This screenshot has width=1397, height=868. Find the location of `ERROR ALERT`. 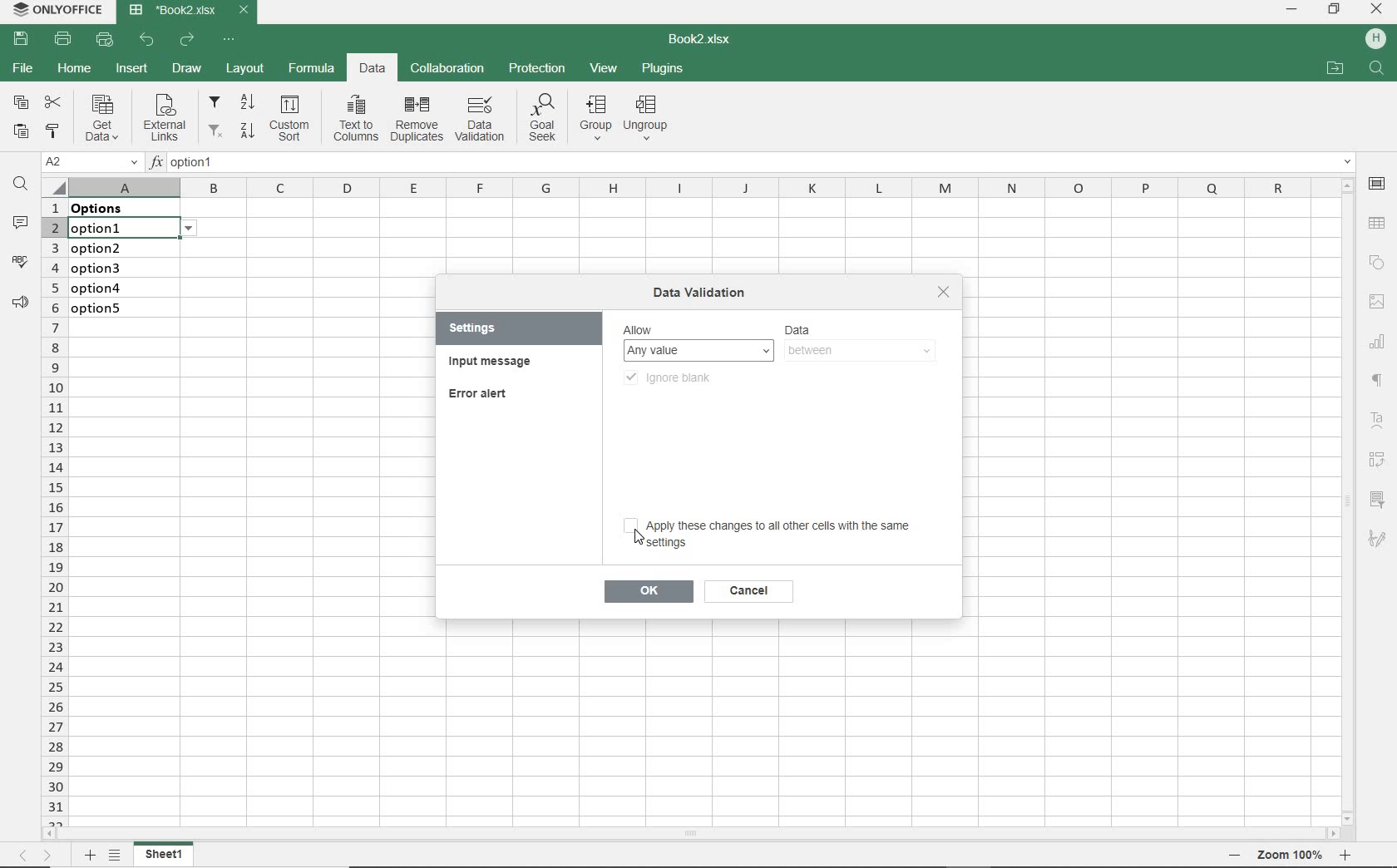

ERROR ALERT is located at coordinates (481, 395).